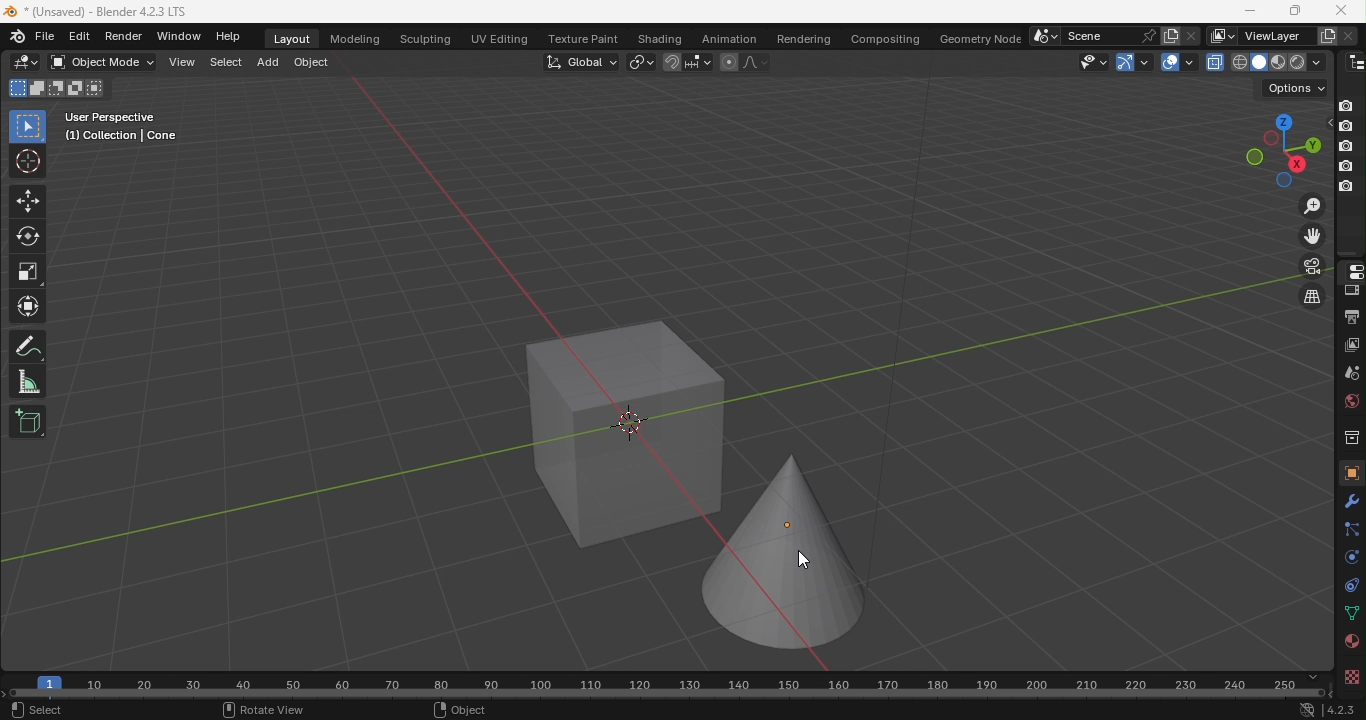  I want to click on Switch the current view from perspective/orthographic projection, so click(1309, 298).